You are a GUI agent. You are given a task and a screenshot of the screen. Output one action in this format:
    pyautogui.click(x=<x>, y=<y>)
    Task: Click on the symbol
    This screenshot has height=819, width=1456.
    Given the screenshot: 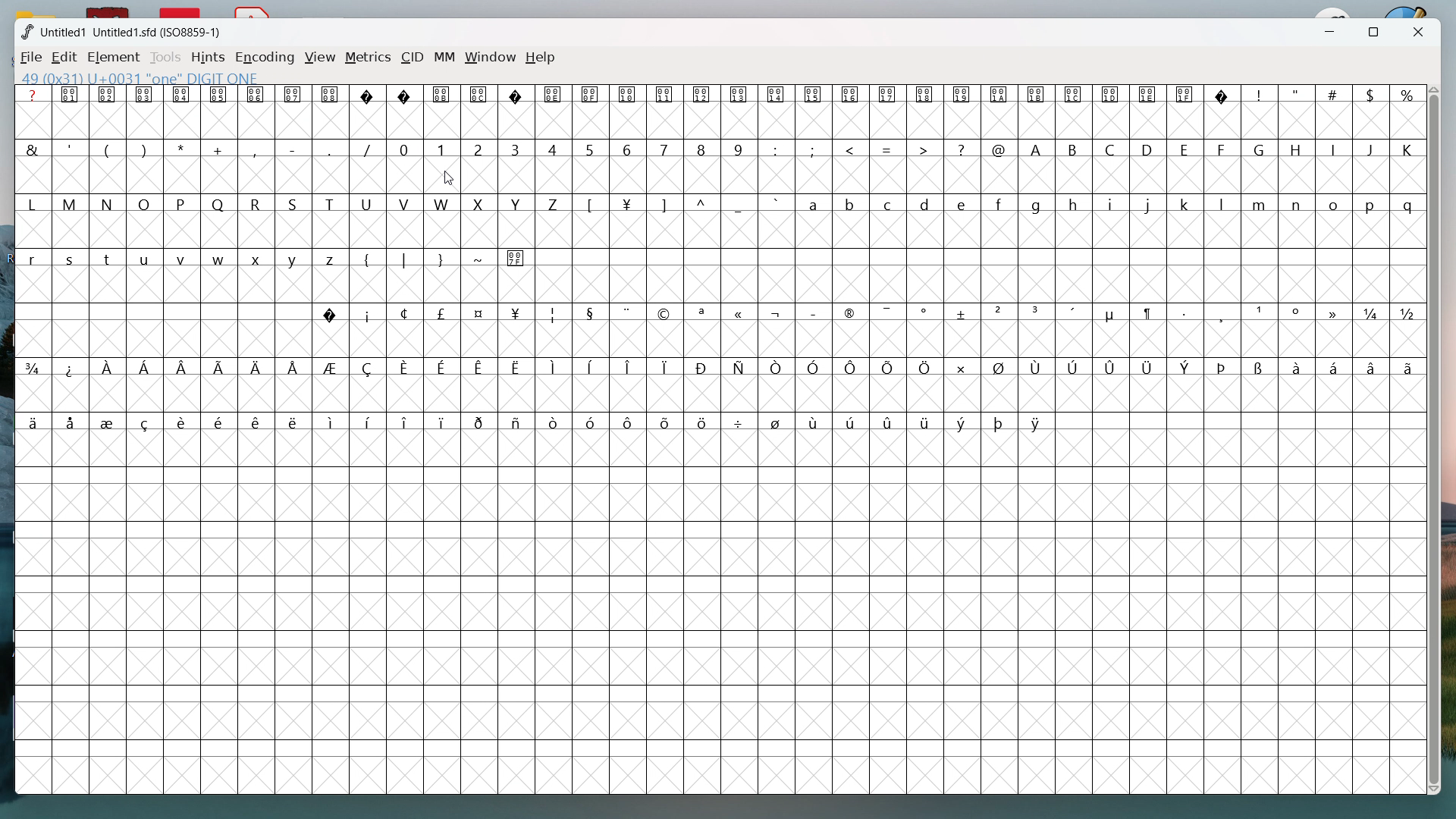 What is the action you would take?
    pyautogui.click(x=554, y=367)
    